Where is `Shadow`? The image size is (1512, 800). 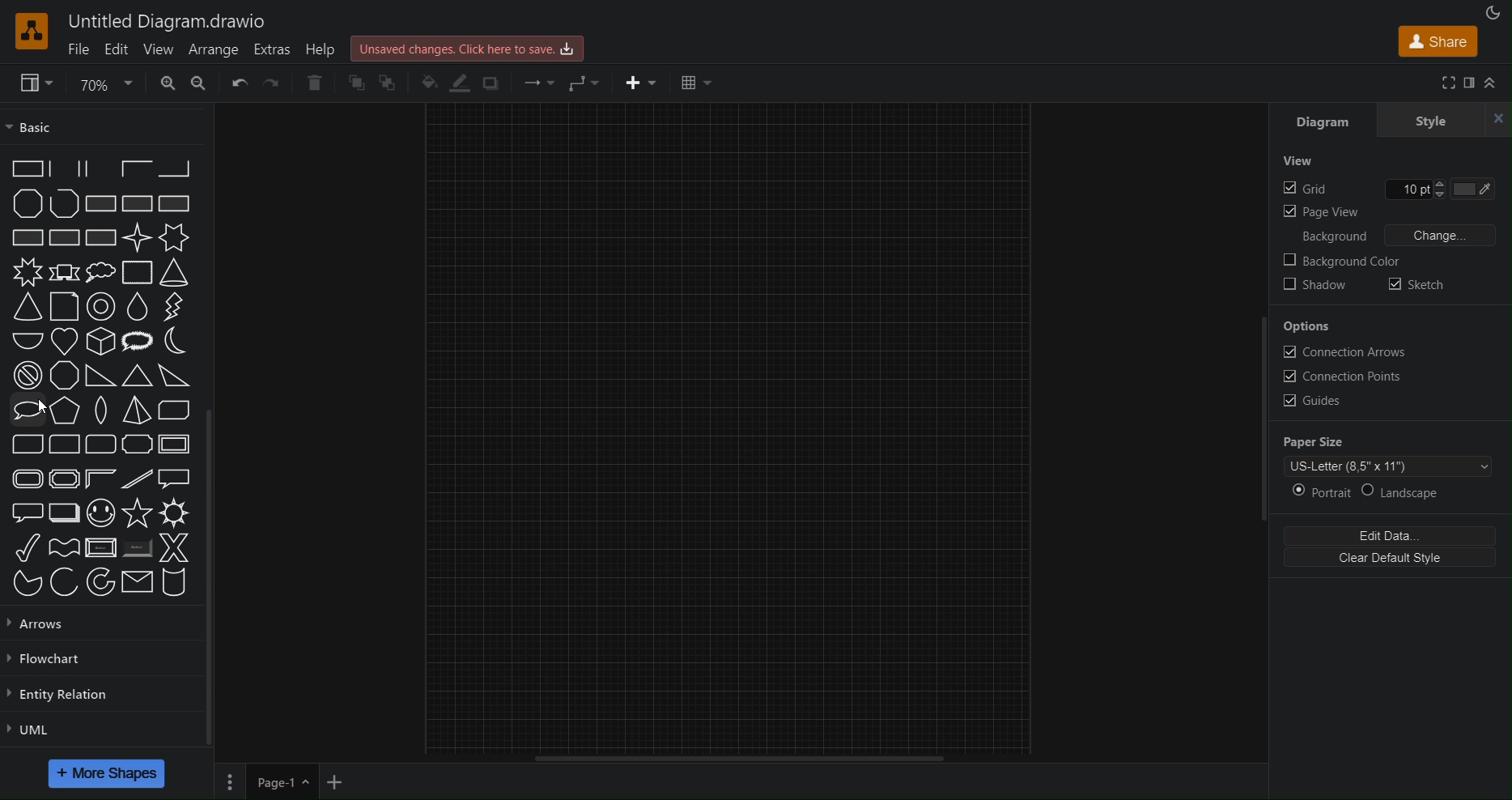
Shadow is located at coordinates (1315, 287).